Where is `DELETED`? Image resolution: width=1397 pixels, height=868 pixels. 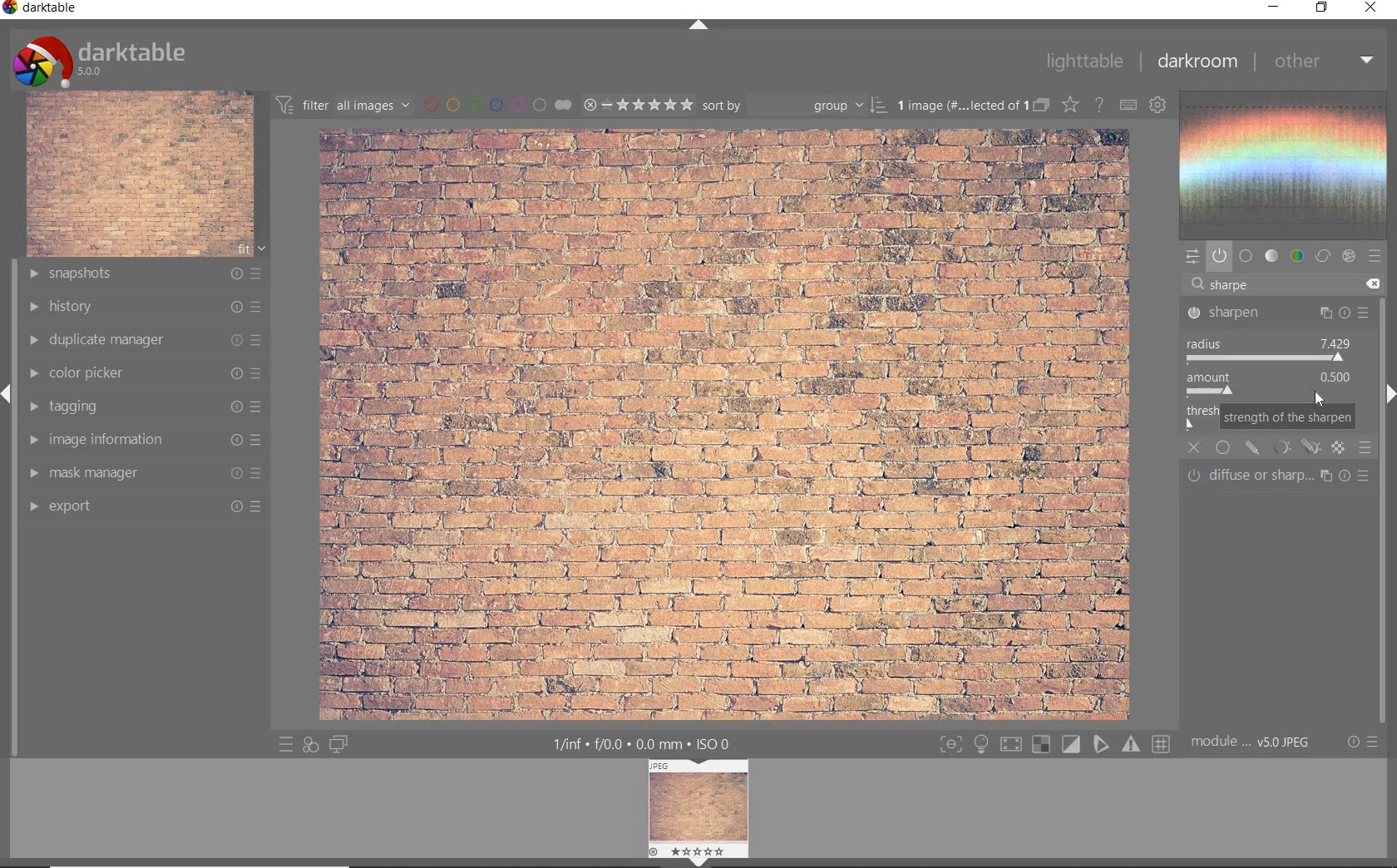 DELETED is located at coordinates (1375, 284).